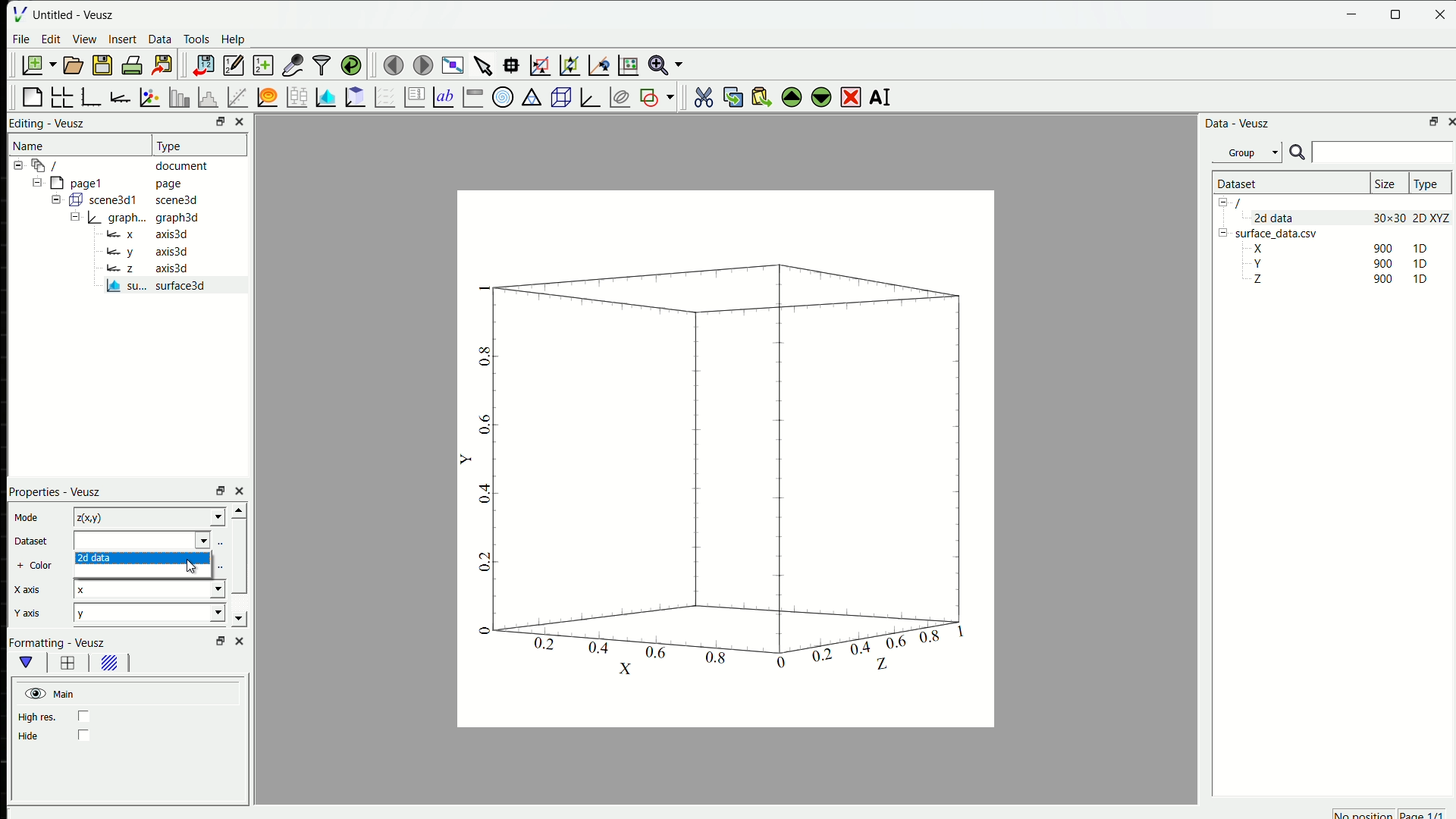 Image resolution: width=1456 pixels, height=819 pixels. I want to click on move to the next page, so click(422, 65).